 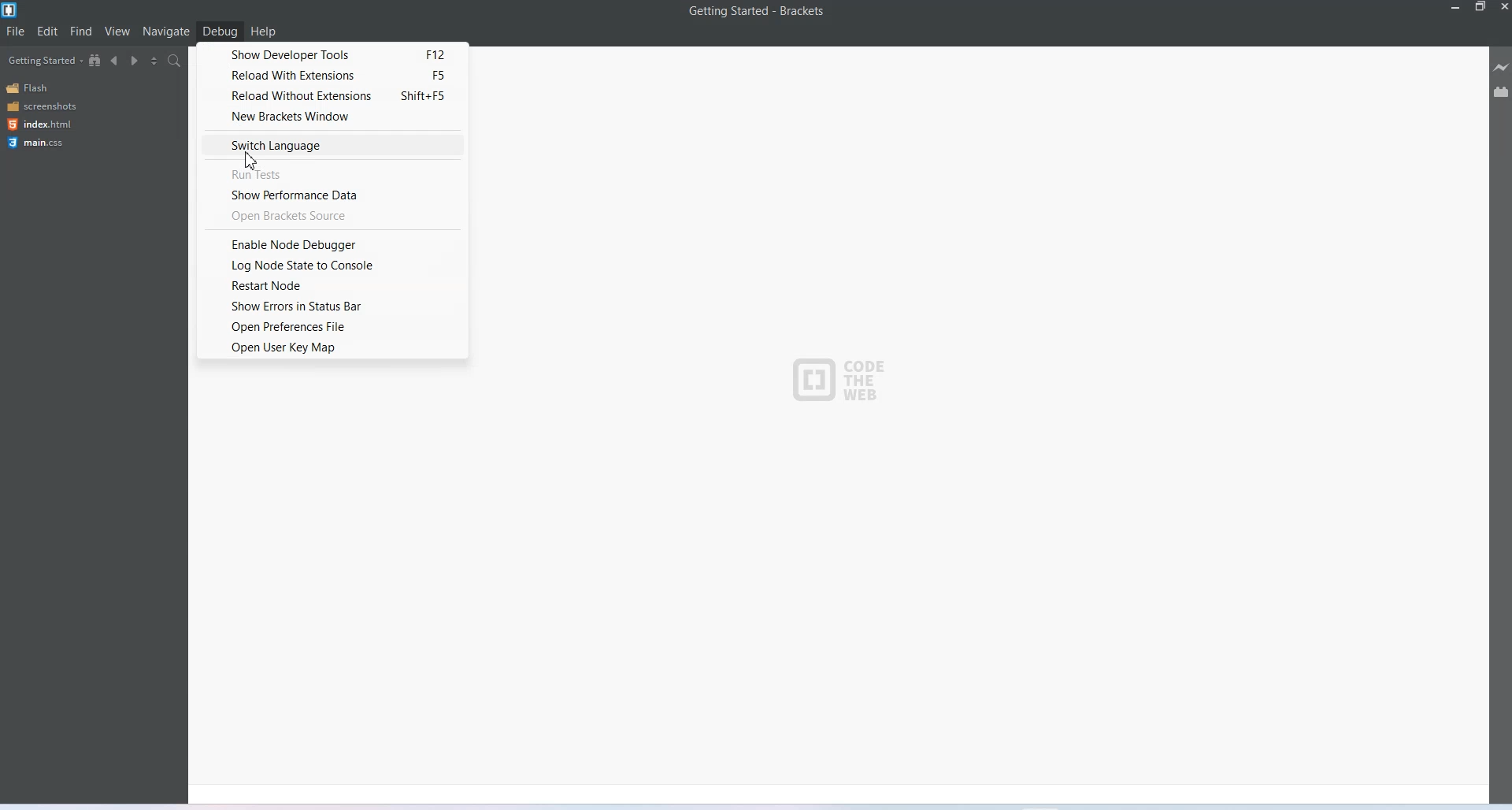 I want to click on restart node, so click(x=334, y=287).